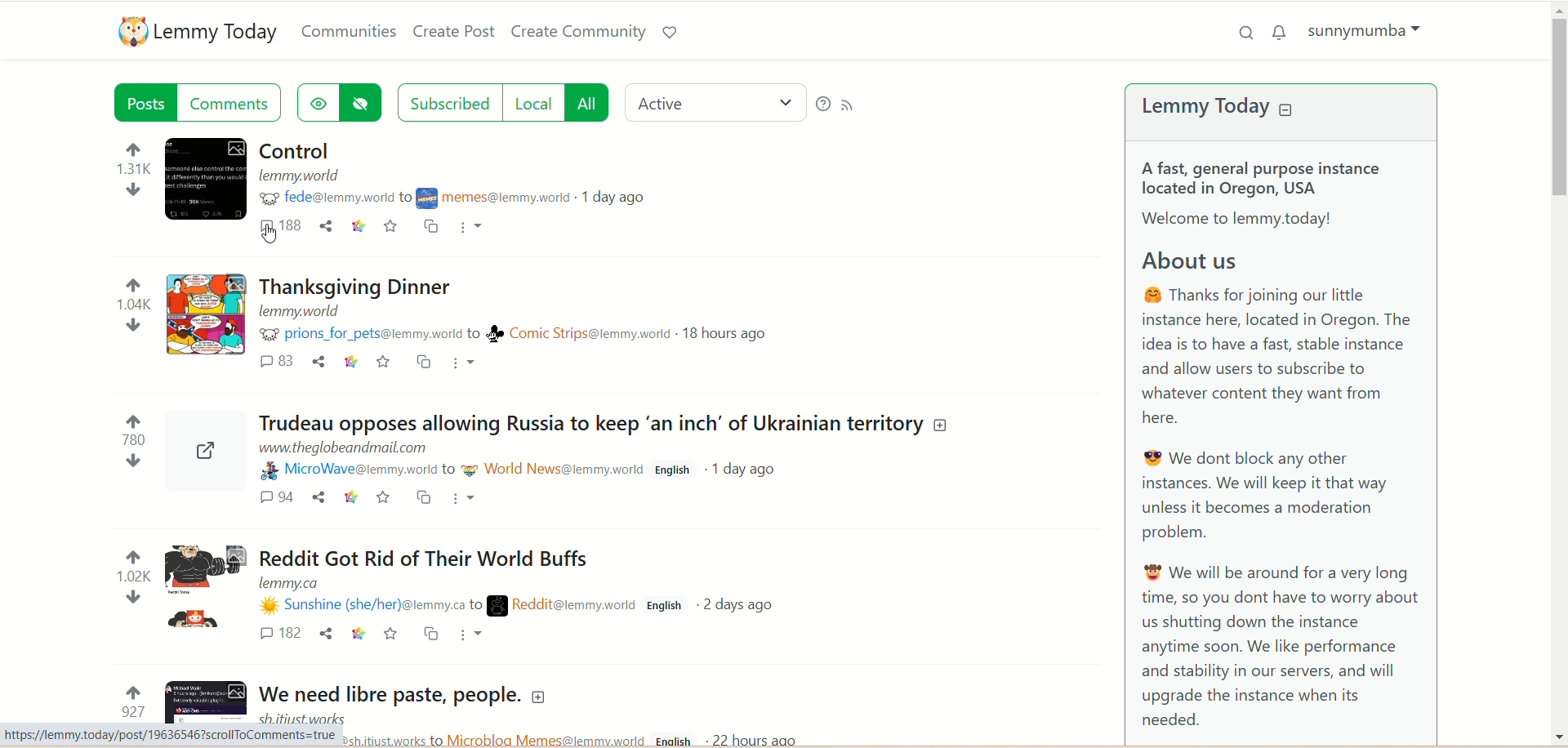 The image size is (1568, 748). Describe the element at coordinates (590, 104) in the screenshot. I see `all` at that location.